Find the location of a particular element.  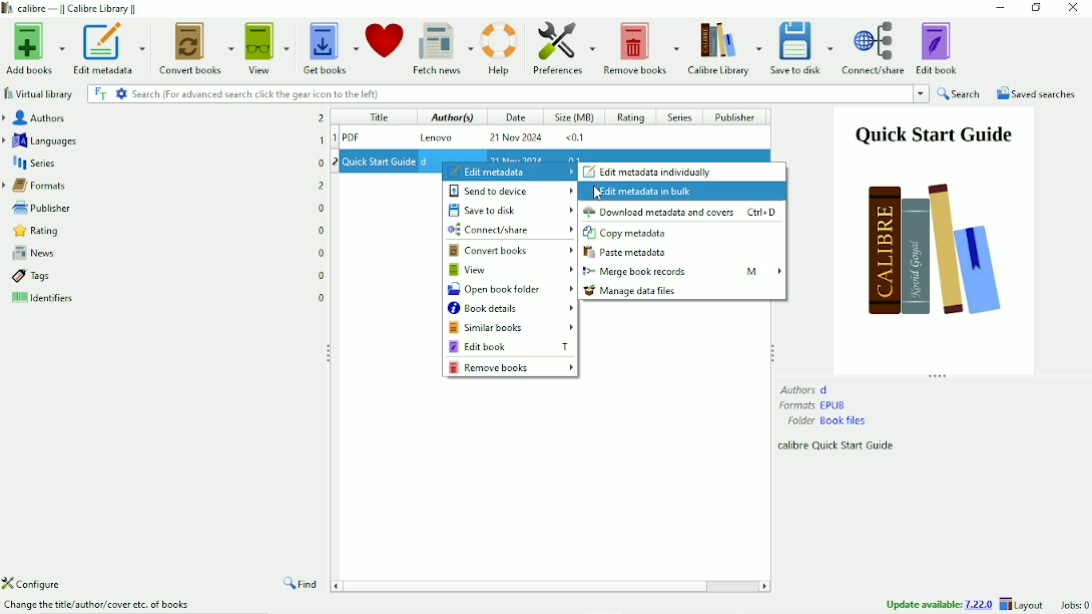

Minimize is located at coordinates (1001, 8).